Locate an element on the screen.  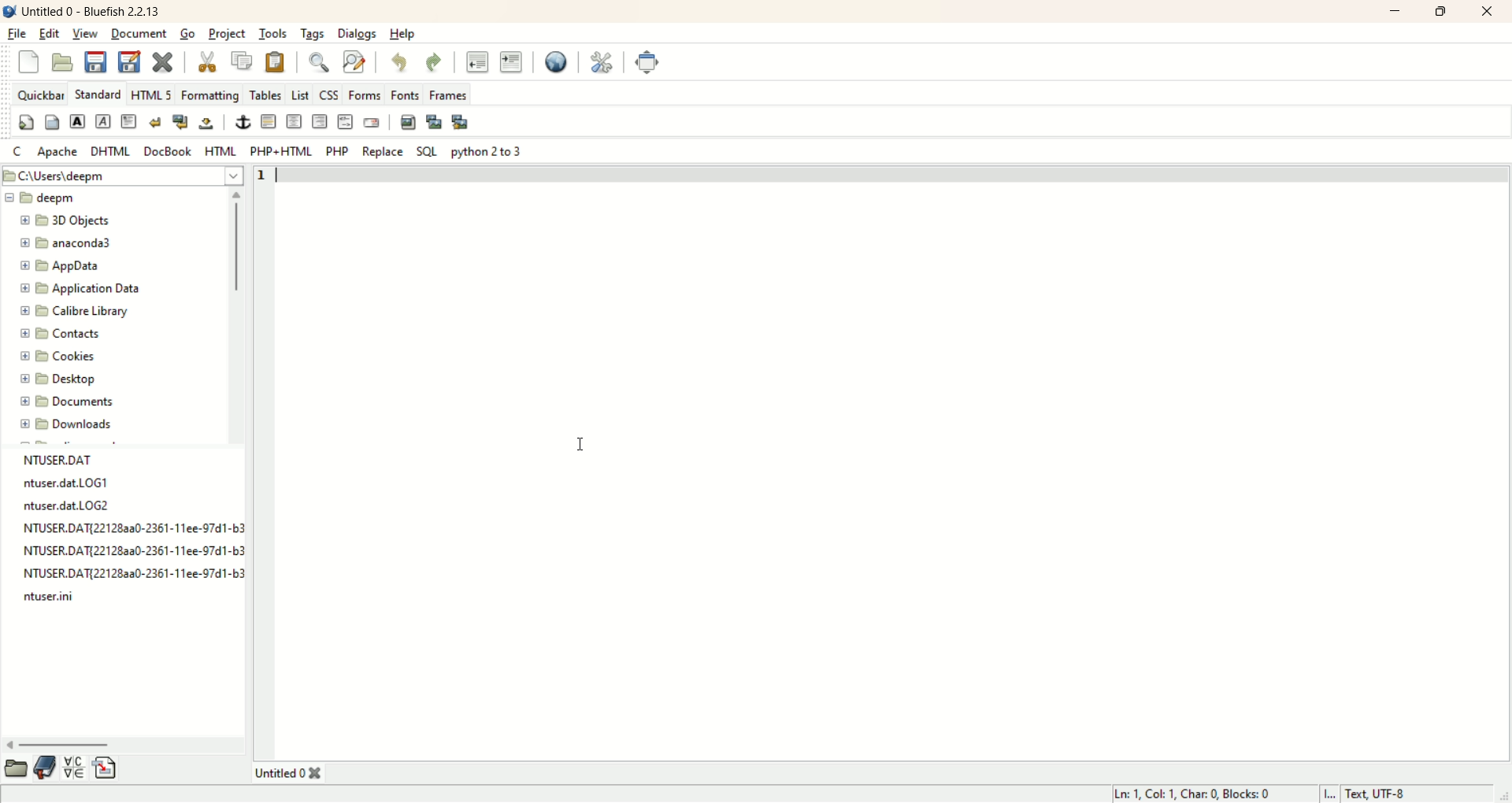
calibre library is located at coordinates (76, 310).